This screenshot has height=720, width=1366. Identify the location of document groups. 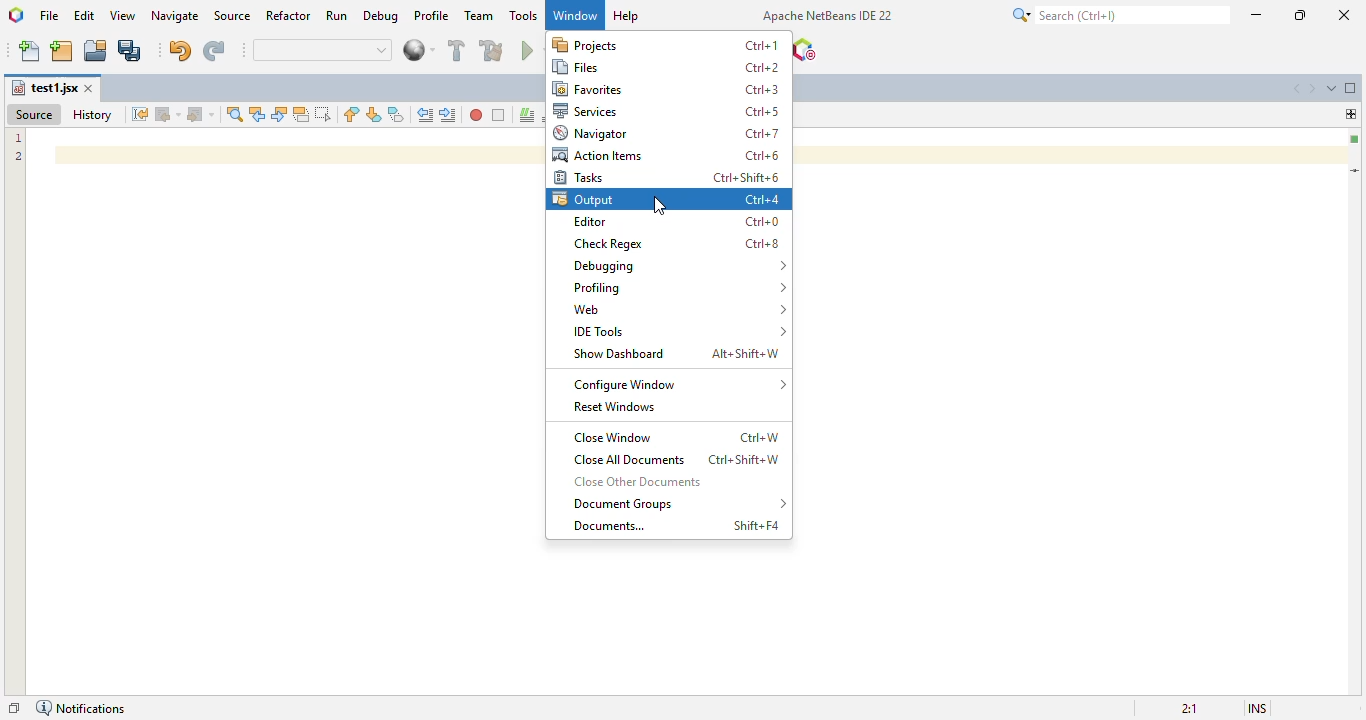
(678, 503).